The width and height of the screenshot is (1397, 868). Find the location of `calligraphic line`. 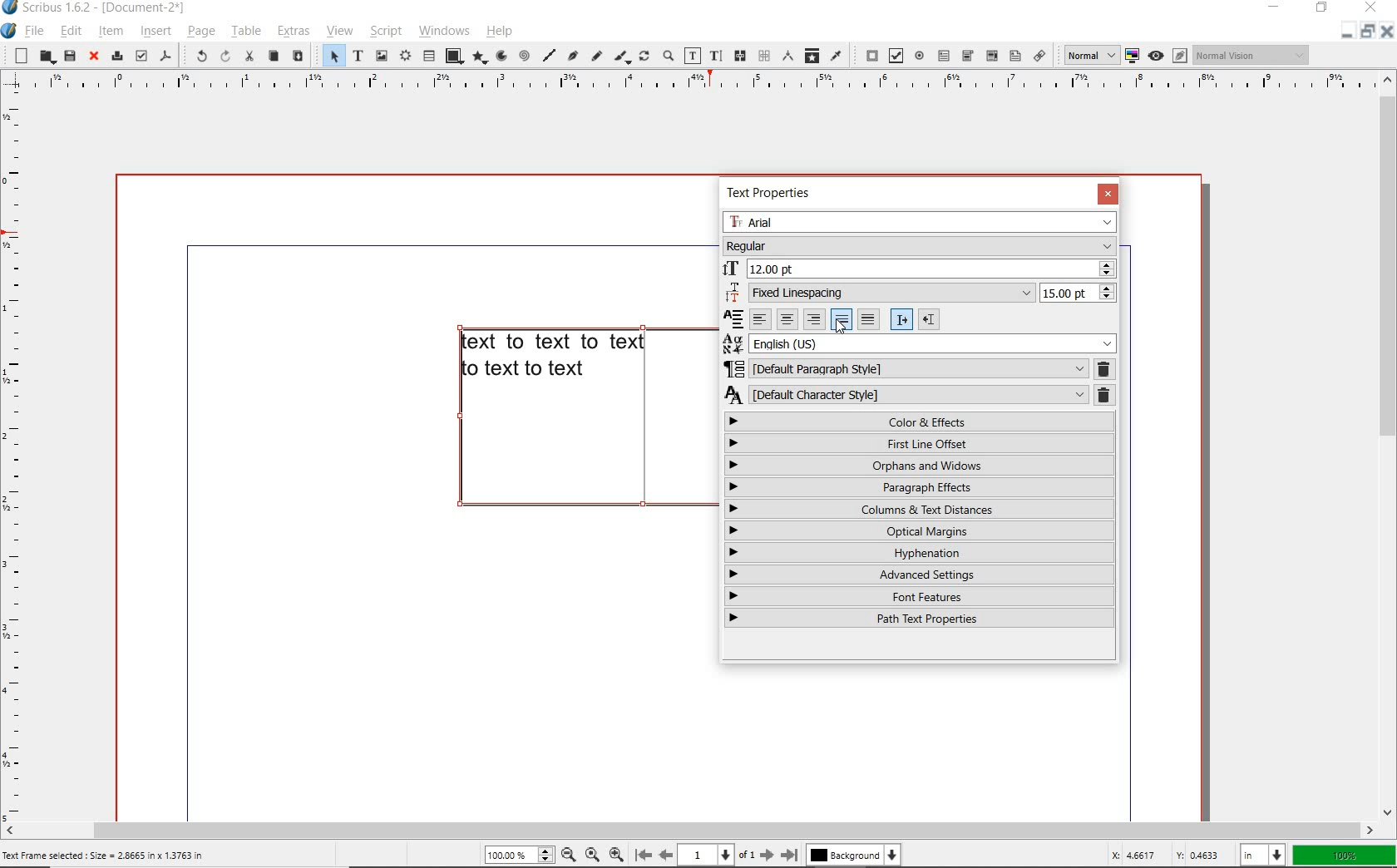

calligraphic line is located at coordinates (620, 56).